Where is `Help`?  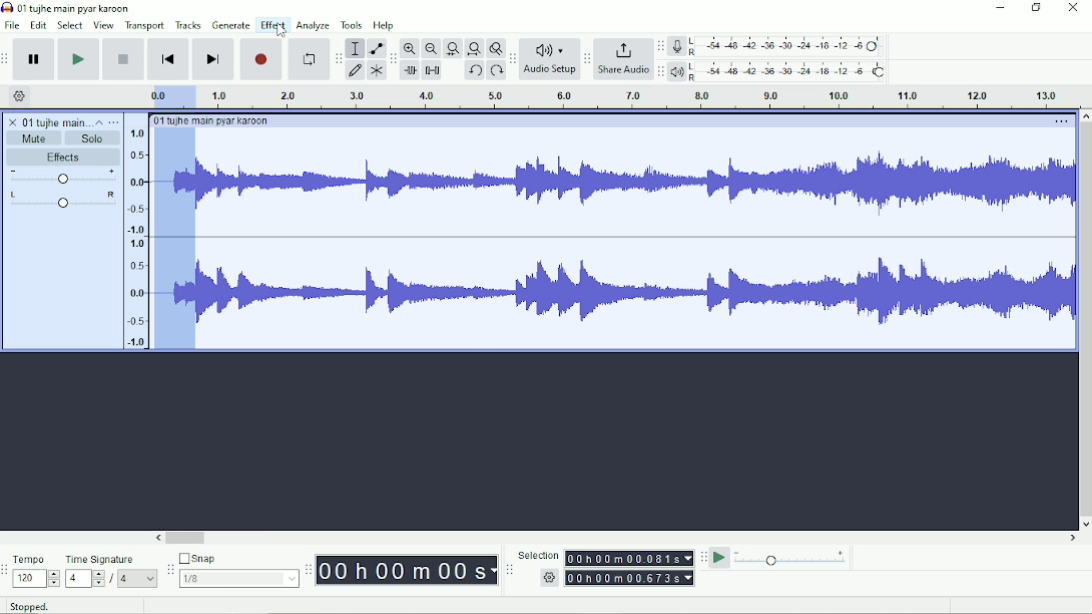 Help is located at coordinates (385, 26).